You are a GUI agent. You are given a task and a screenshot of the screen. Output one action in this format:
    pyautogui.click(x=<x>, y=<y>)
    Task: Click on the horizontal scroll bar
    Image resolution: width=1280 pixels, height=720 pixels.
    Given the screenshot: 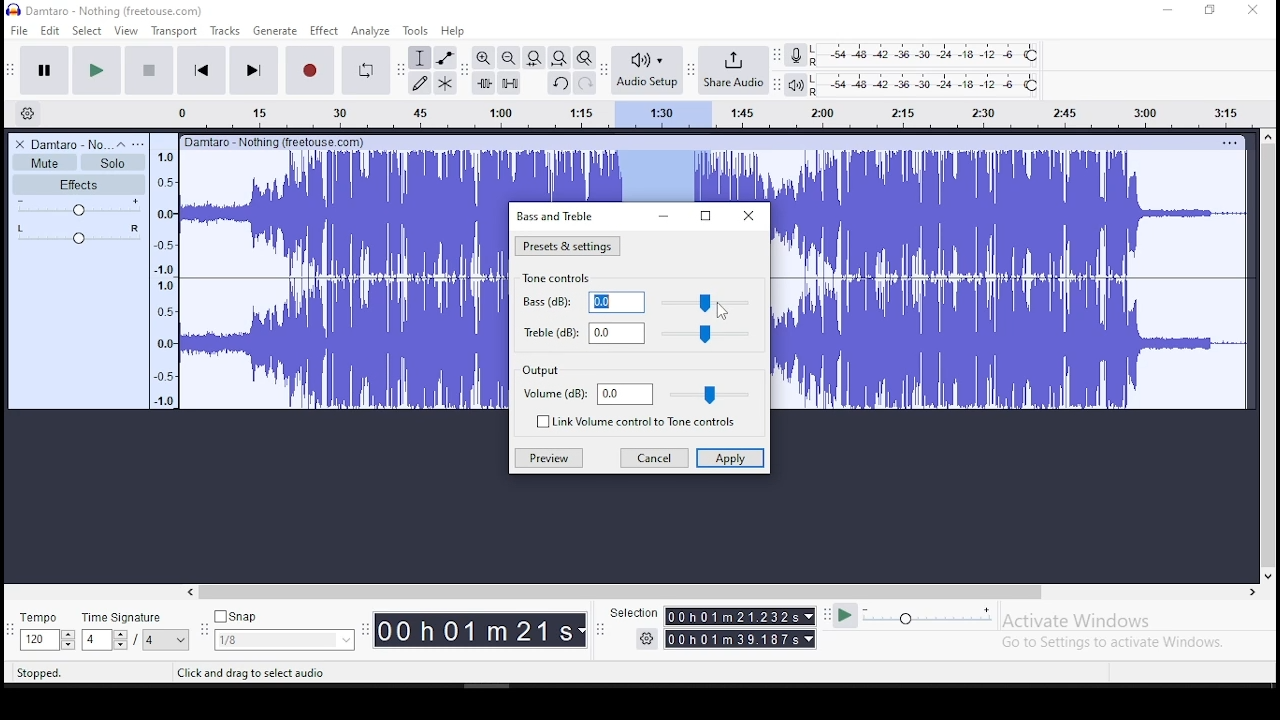 What is the action you would take?
    pyautogui.click(x=720, y=592)
    